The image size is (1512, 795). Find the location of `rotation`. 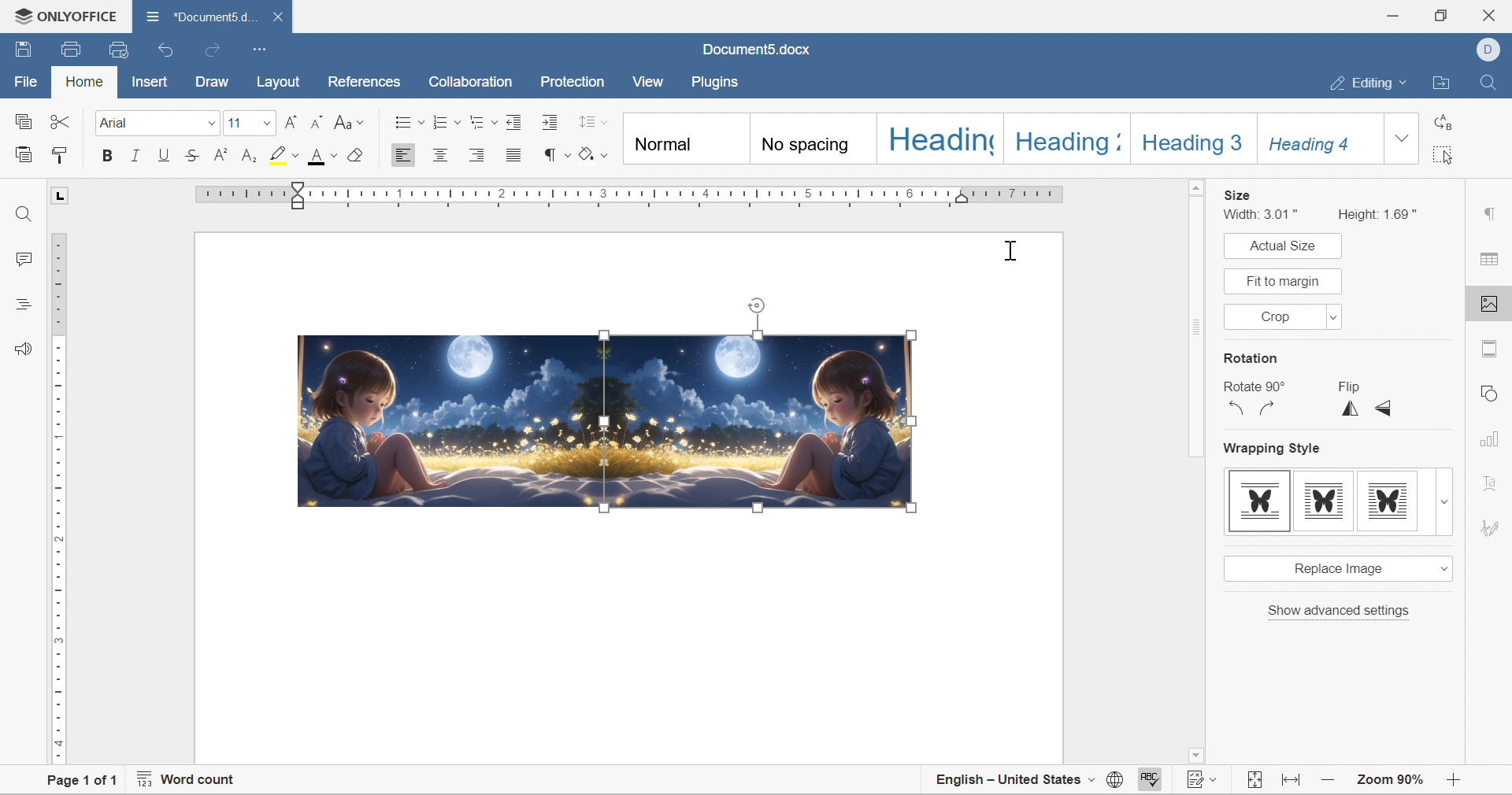

rotation is located at coordinates (1251, 359).